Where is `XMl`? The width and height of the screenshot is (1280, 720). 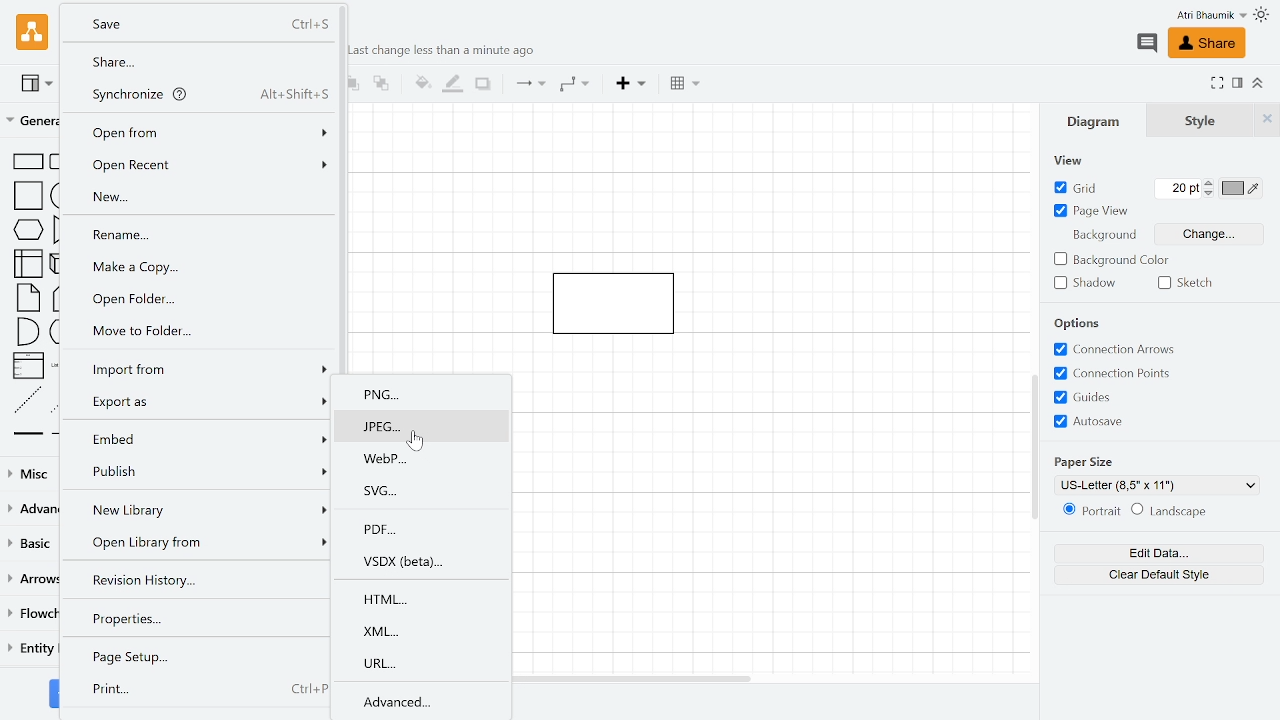
XMl is located at coordinates (426, 630).